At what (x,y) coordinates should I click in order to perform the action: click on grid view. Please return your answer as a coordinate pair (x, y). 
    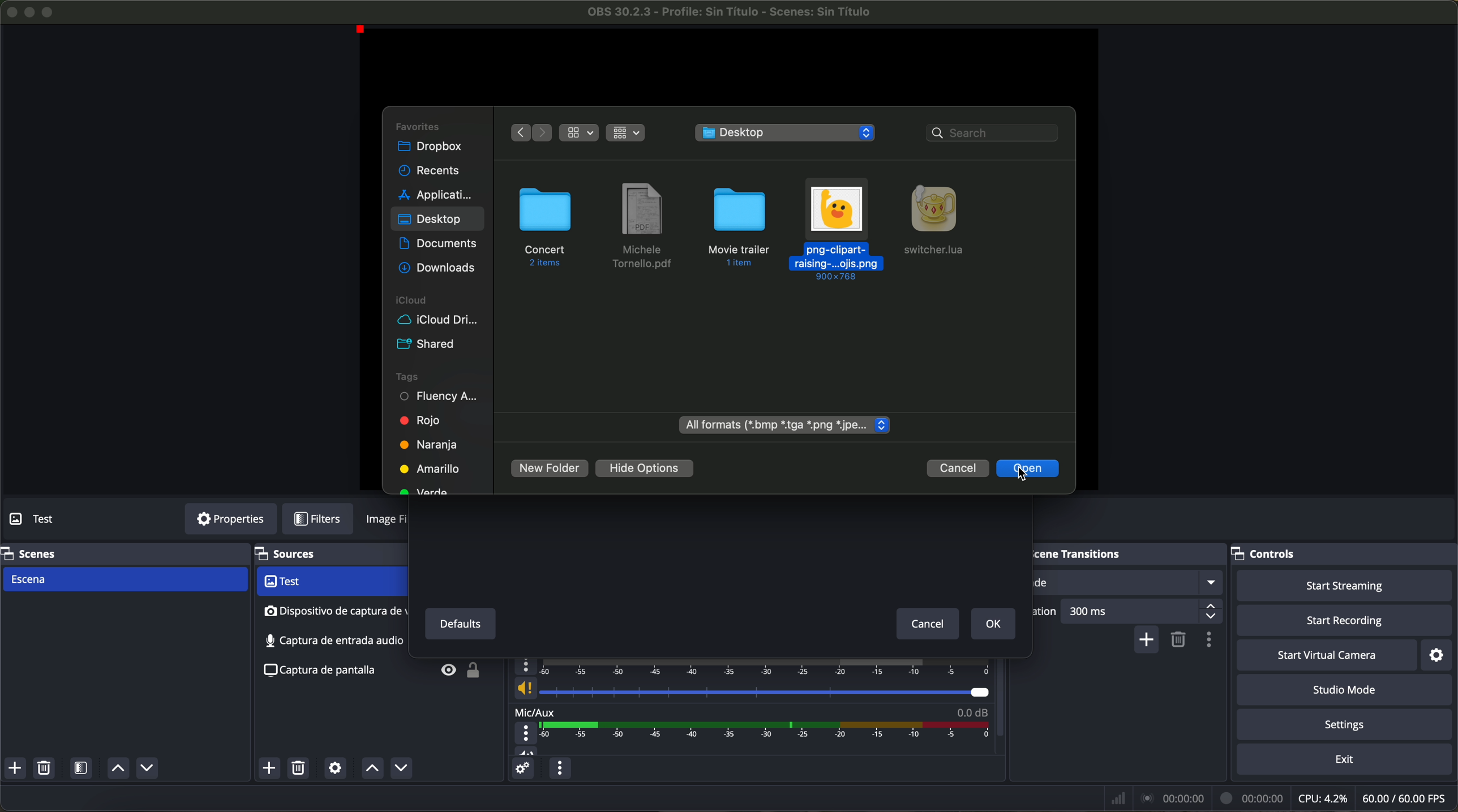
    Looking at the image, I should click on (626, 134).